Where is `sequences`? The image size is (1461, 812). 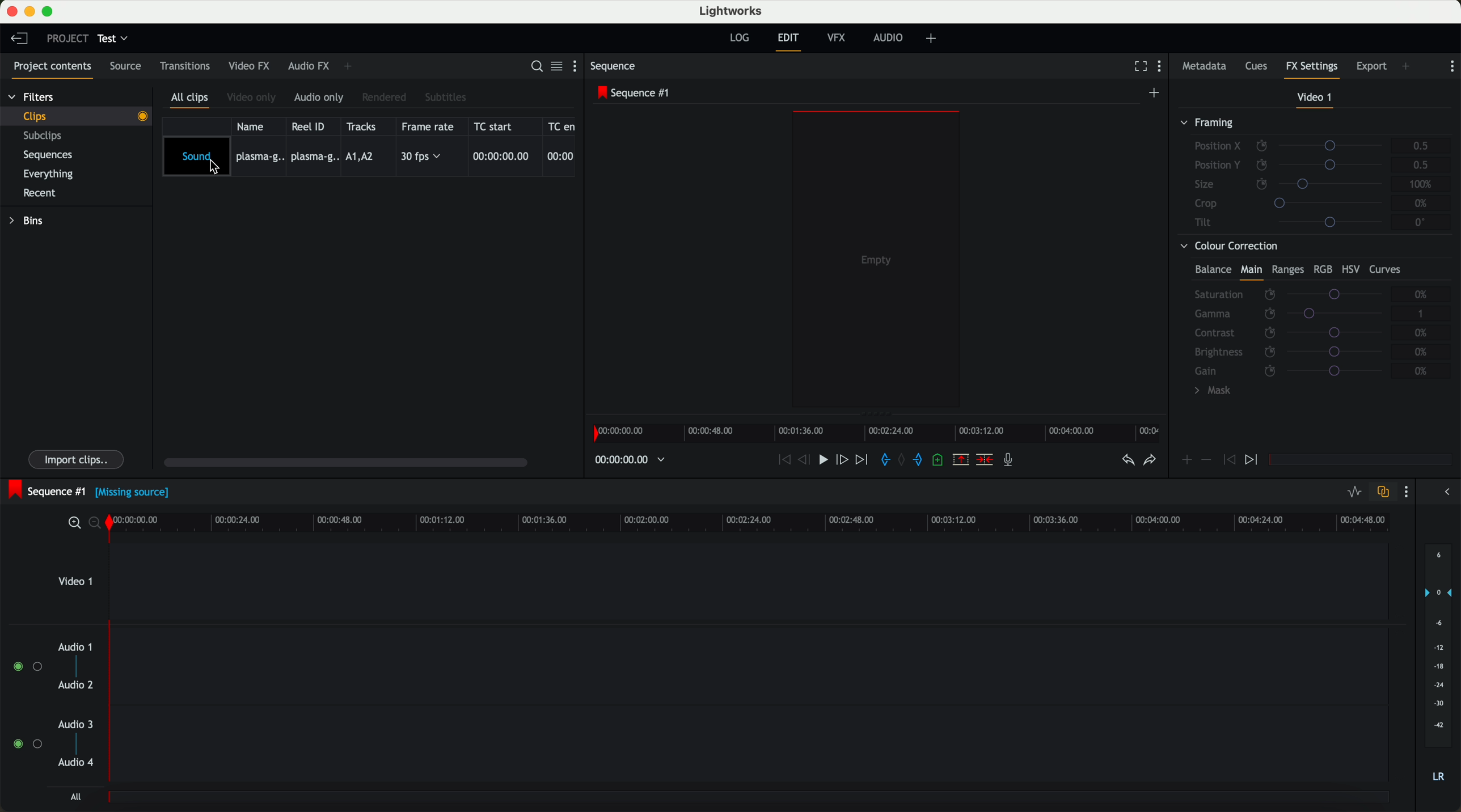 sequences is located at coordinates (52, 157).